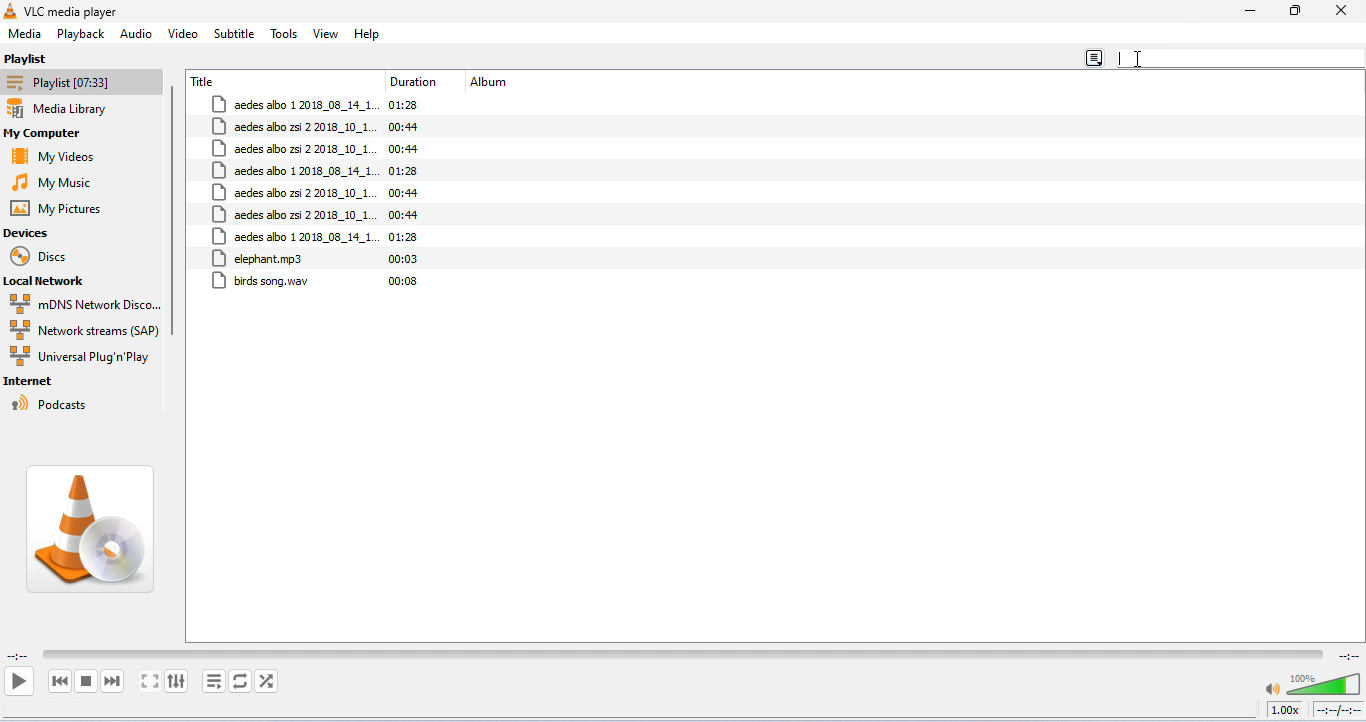 This screenshot has width=1366, height=722. Describe the element at coordinates (61, 682) in the screenshot. I see `previous media` at that location.